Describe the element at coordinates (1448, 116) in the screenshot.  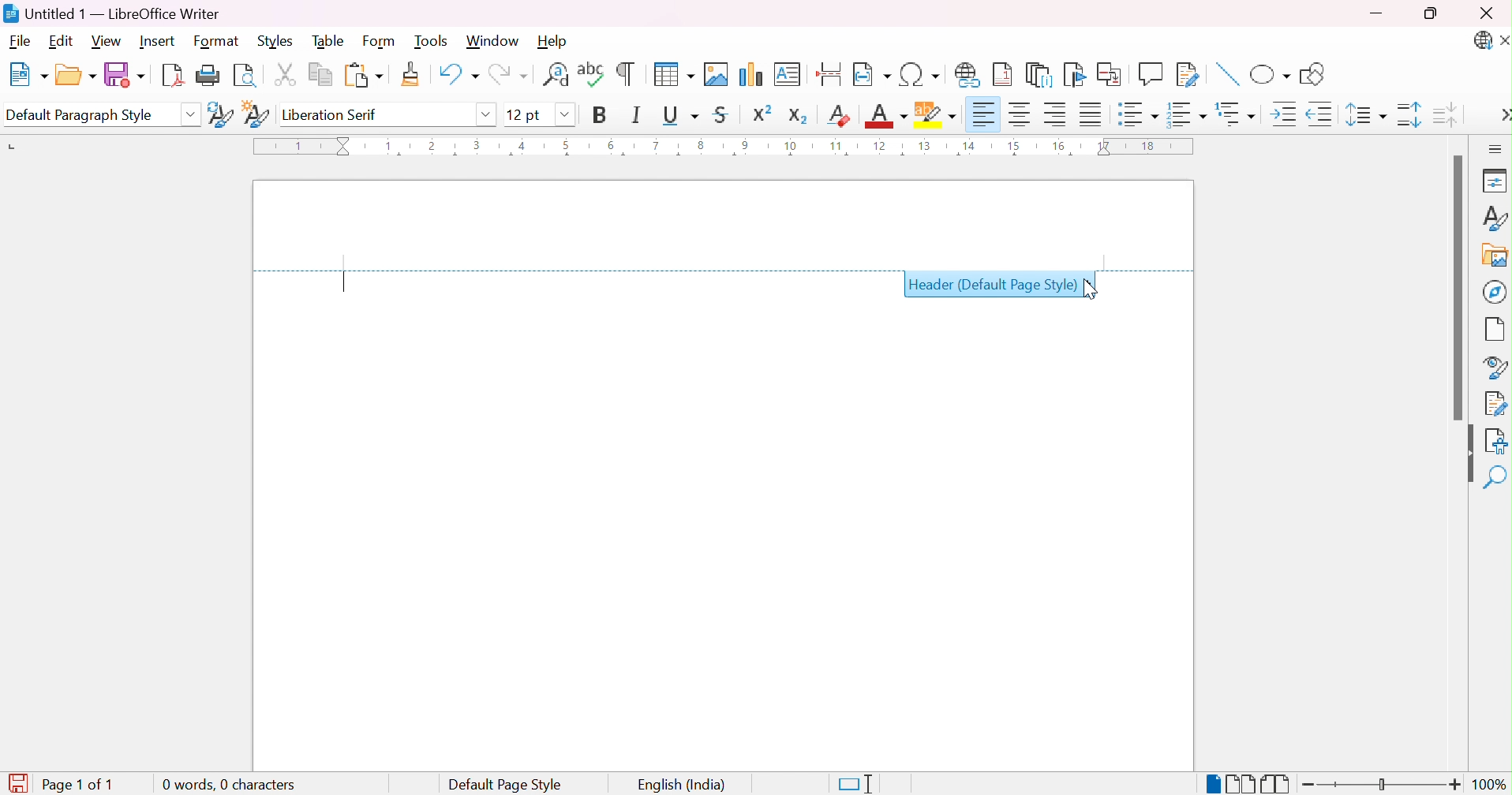
I see `Decrease paragraph spacing` at that location.